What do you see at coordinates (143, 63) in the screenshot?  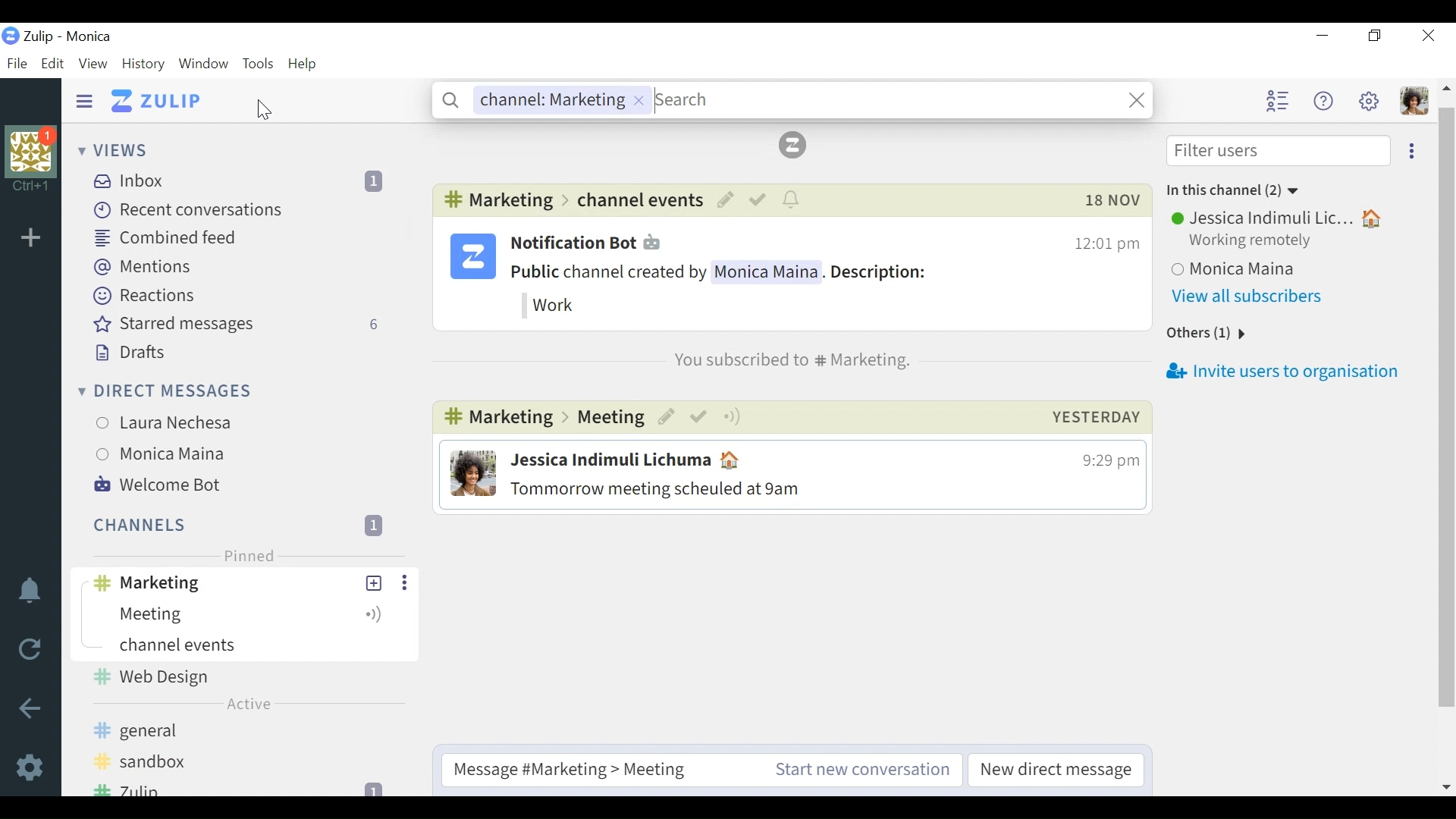 I see `History` at bounding box center [143, 63].